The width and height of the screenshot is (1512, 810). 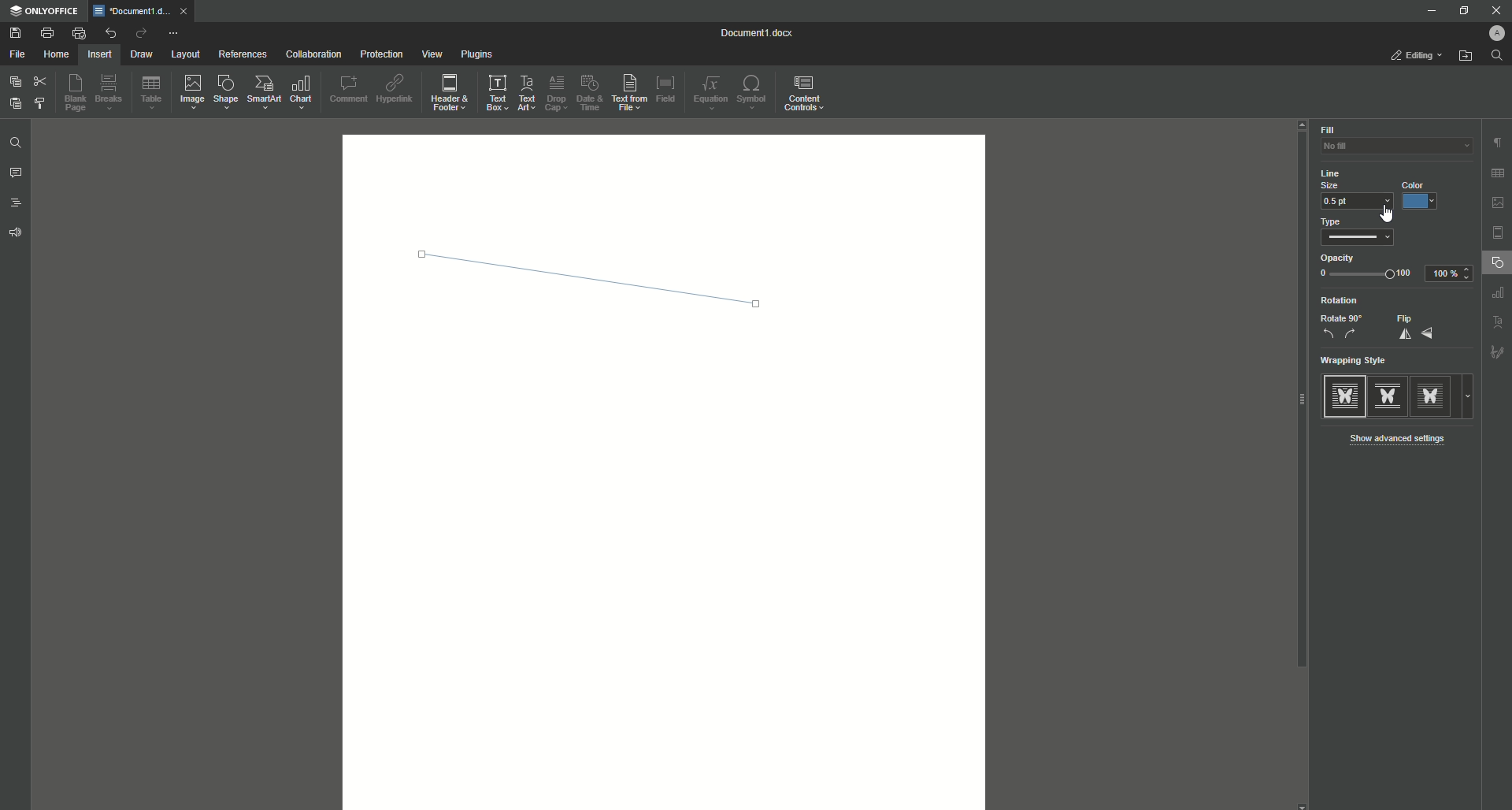 What do you see at coordinates (18, 55) in the screenshot?
I see `File` at bounding box center [18, 55].